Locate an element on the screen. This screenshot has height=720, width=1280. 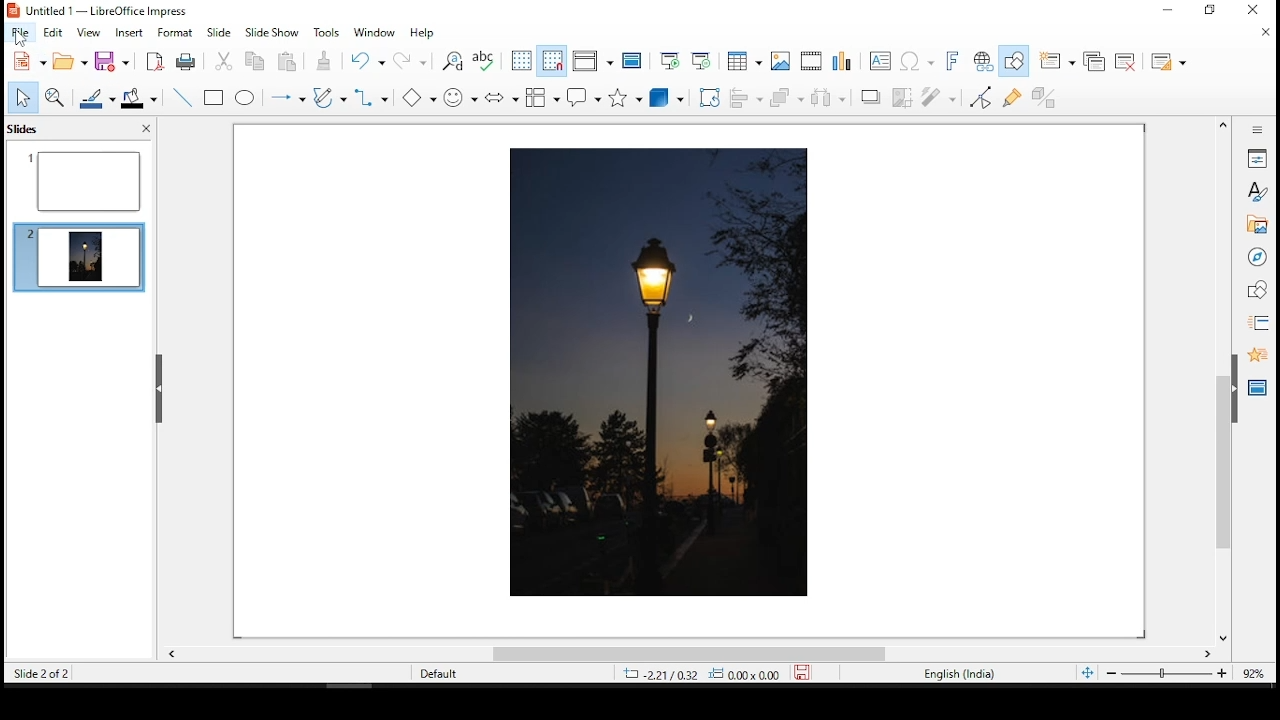
arrange is located at coordinates (787, 100).